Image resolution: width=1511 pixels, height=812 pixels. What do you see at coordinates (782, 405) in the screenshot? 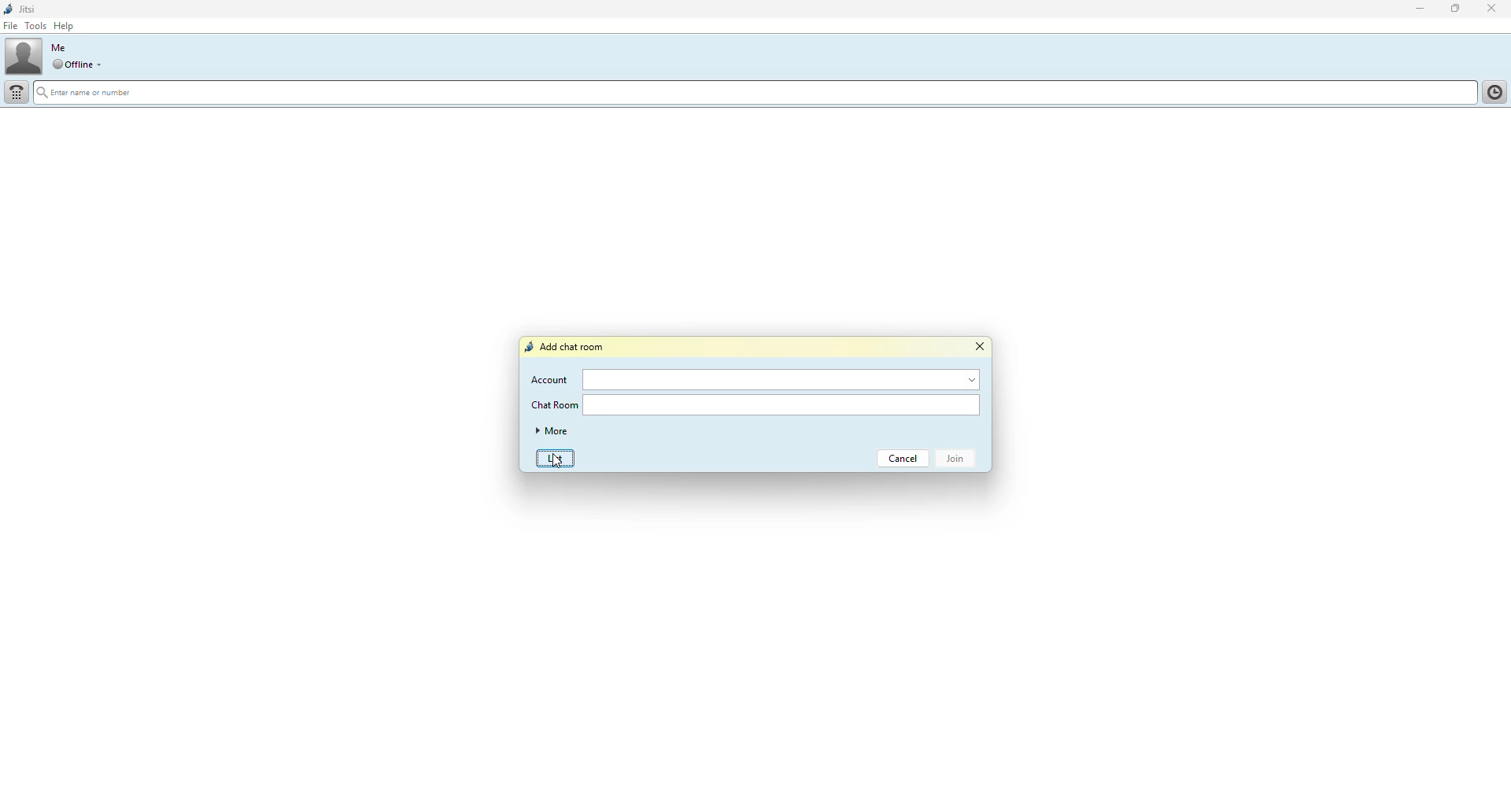
I see `chat room` at bounding box center [782, 405].